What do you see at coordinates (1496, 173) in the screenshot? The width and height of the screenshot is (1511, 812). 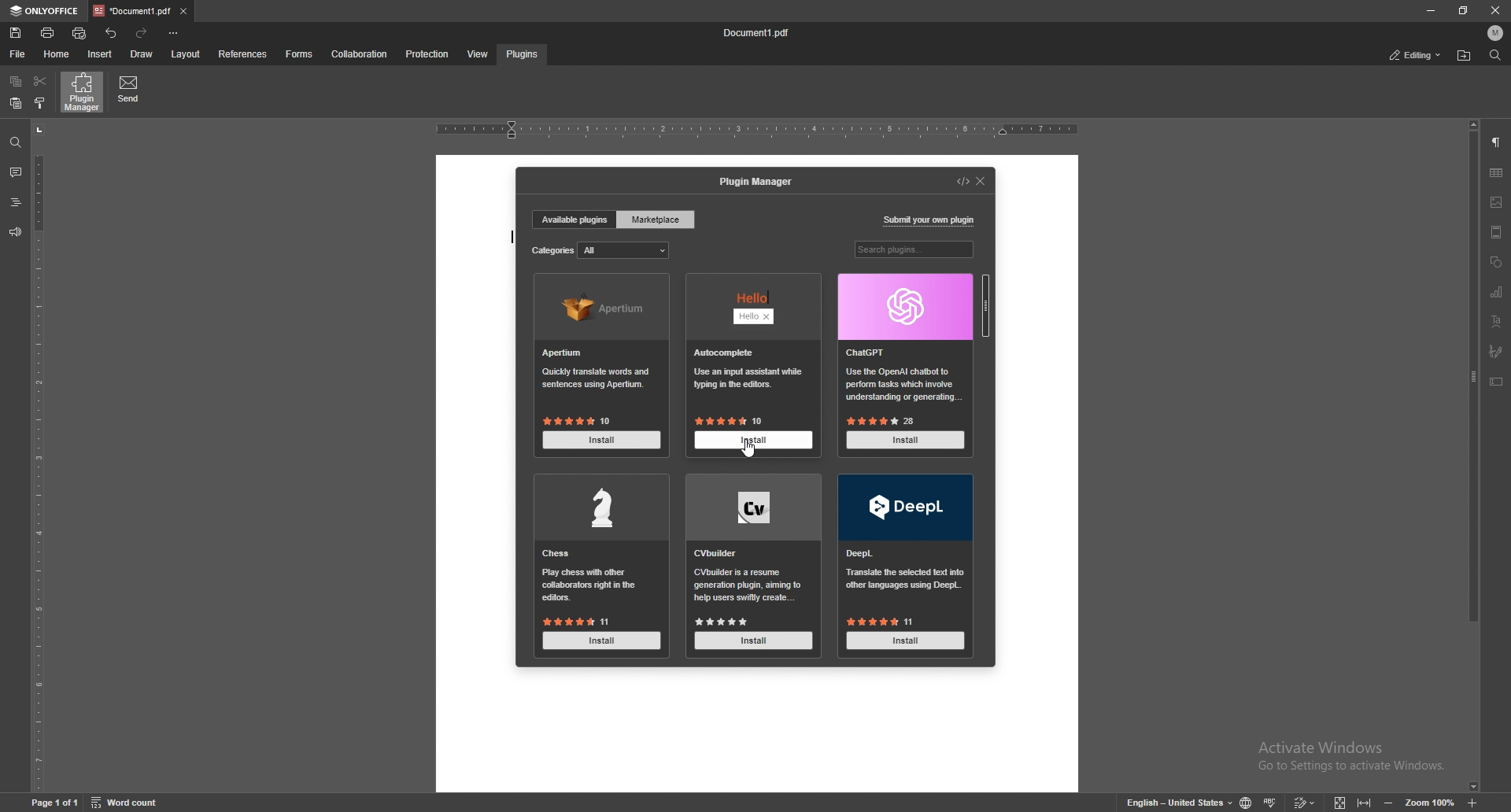 I see `table` at bounding box center [1496, 173].